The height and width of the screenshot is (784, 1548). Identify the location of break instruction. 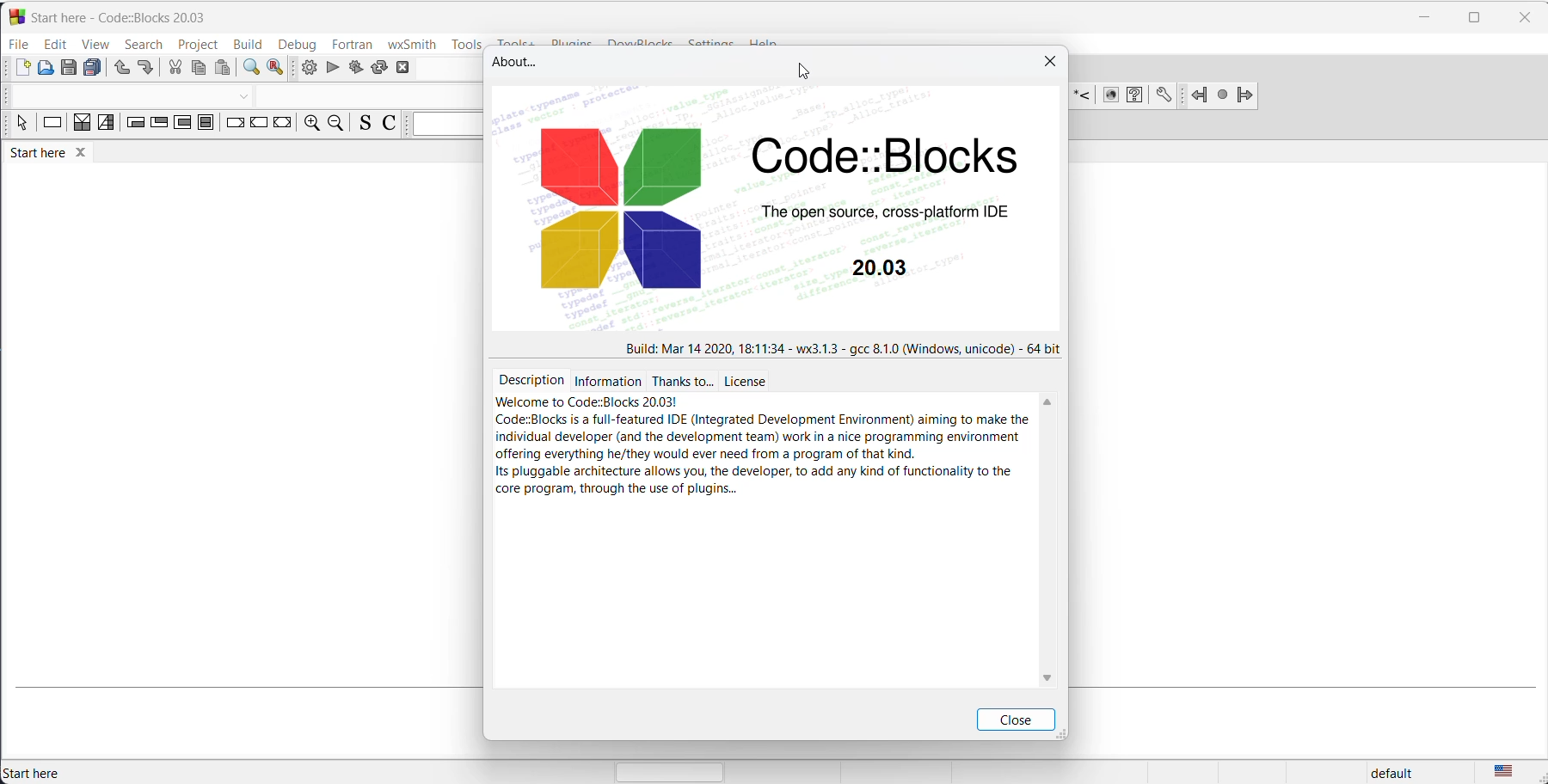
(236, 126).